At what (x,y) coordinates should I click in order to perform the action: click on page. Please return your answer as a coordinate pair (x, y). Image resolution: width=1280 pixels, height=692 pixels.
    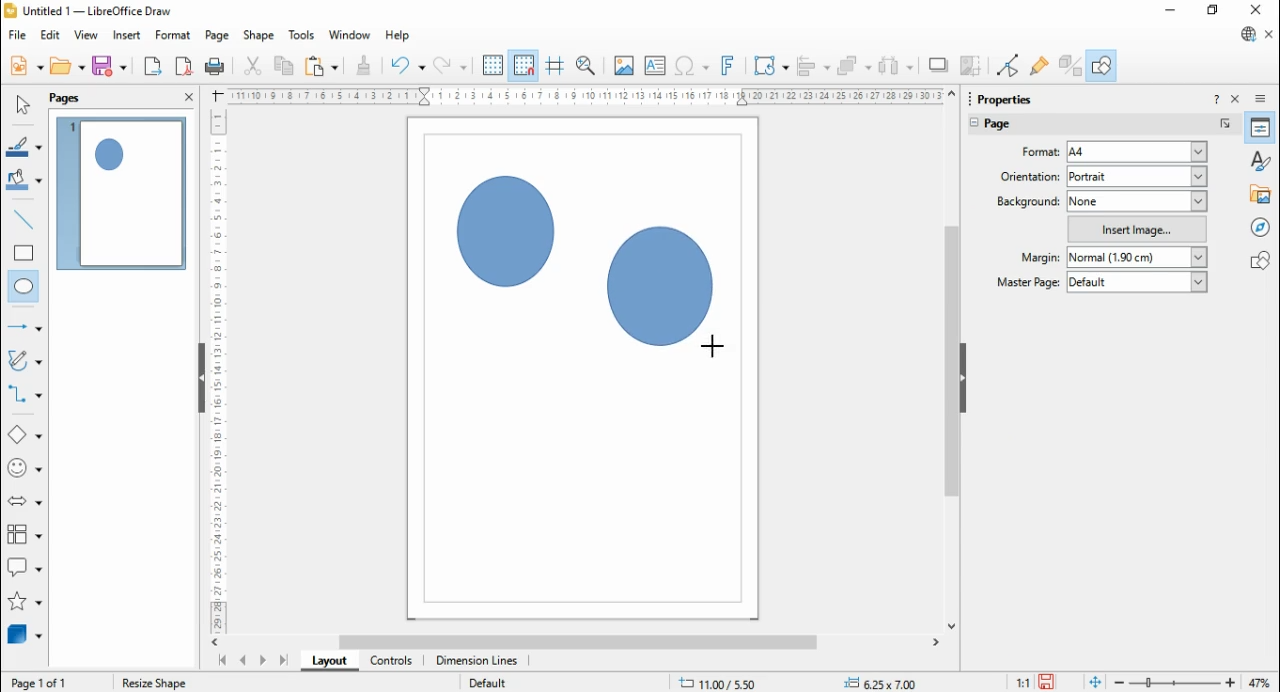
    Looking at the image, I should click on (1011, 126).